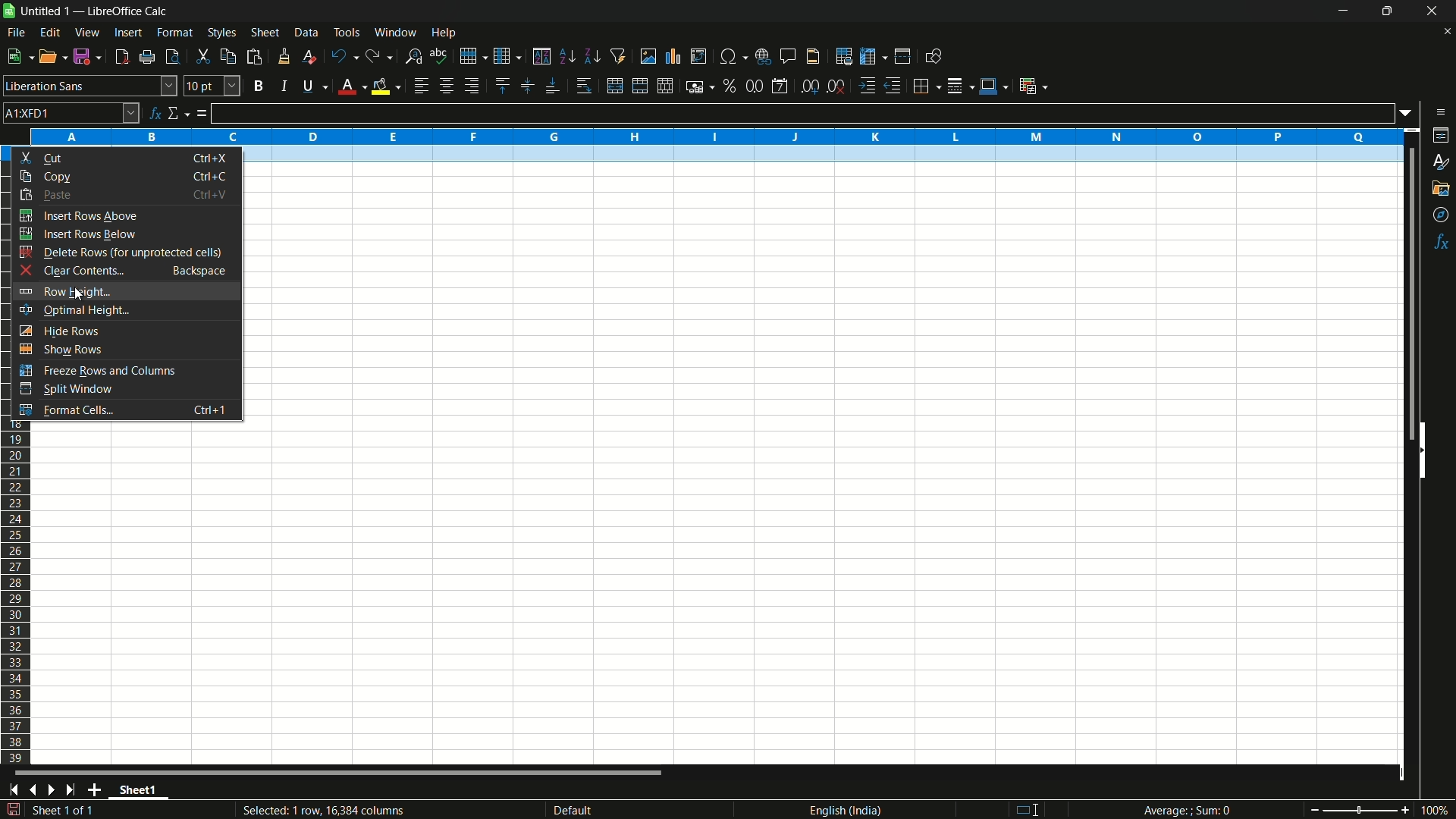  I want to click on cell name, so click(71, 112).